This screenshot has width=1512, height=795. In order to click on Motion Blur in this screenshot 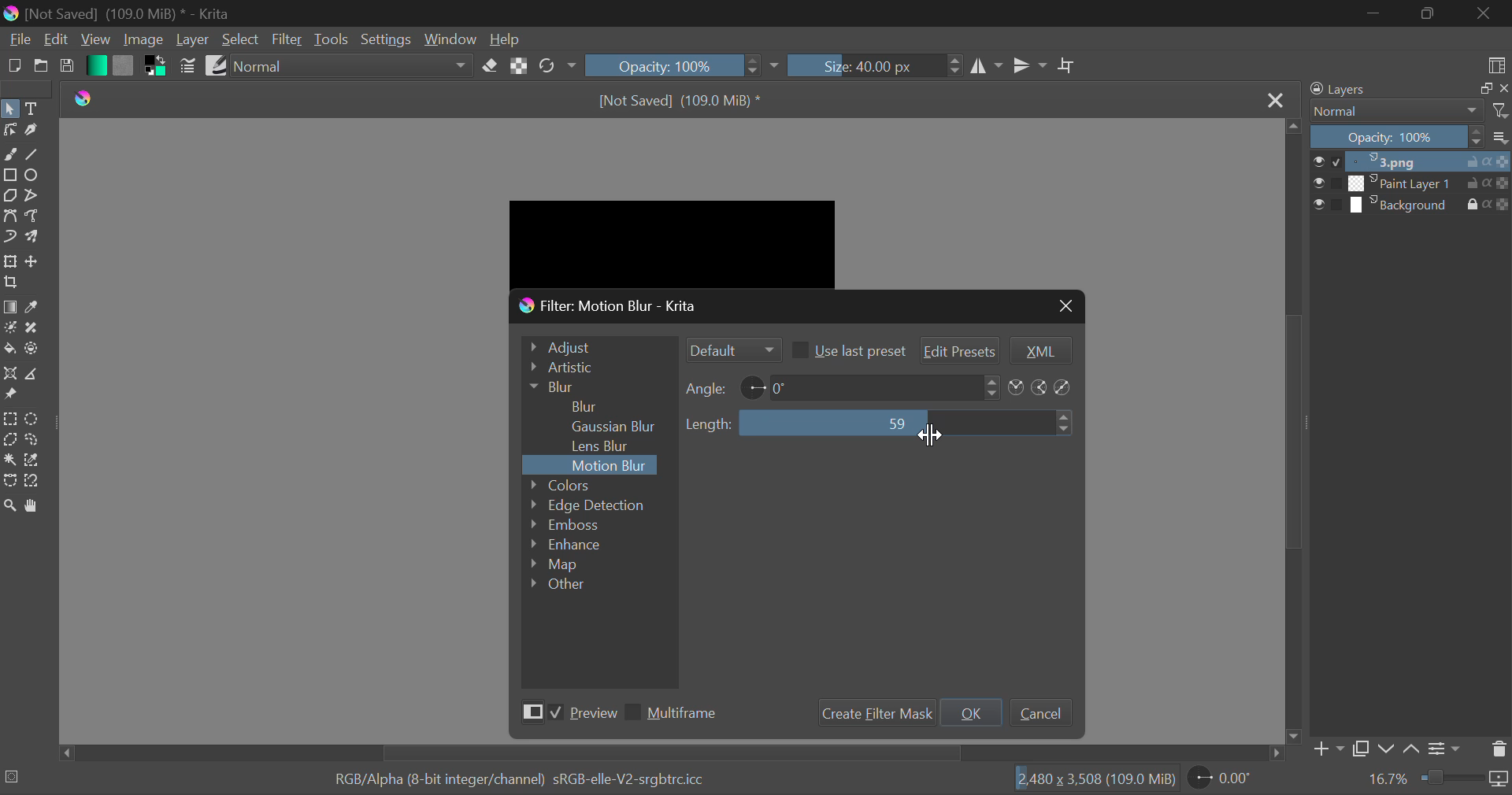, I will do `click(611, 466)`.